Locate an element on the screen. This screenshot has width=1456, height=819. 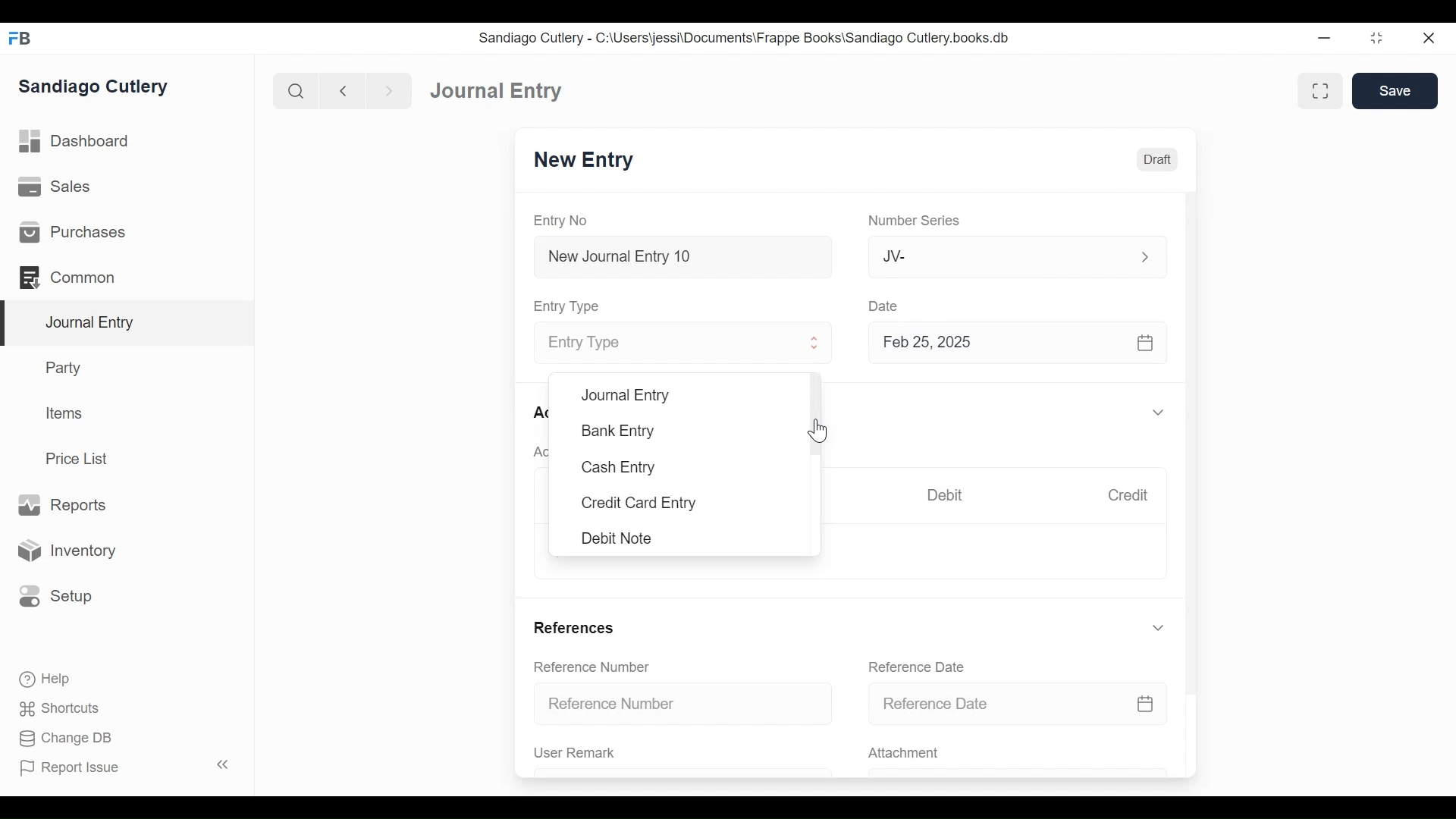
Journal Entry is located at coordinates (494, 92).